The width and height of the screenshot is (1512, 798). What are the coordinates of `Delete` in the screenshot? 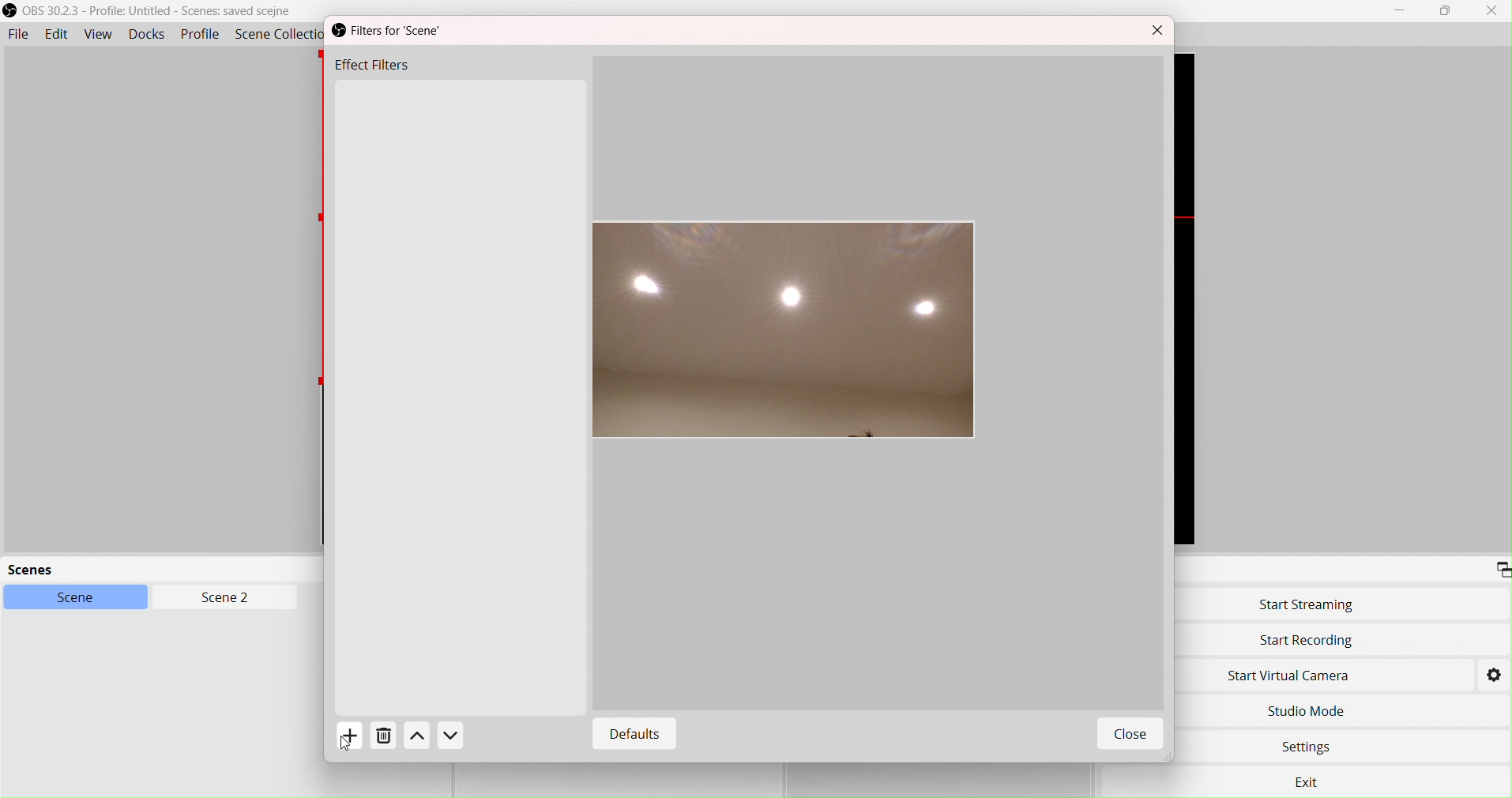 It's located at (384, 740).